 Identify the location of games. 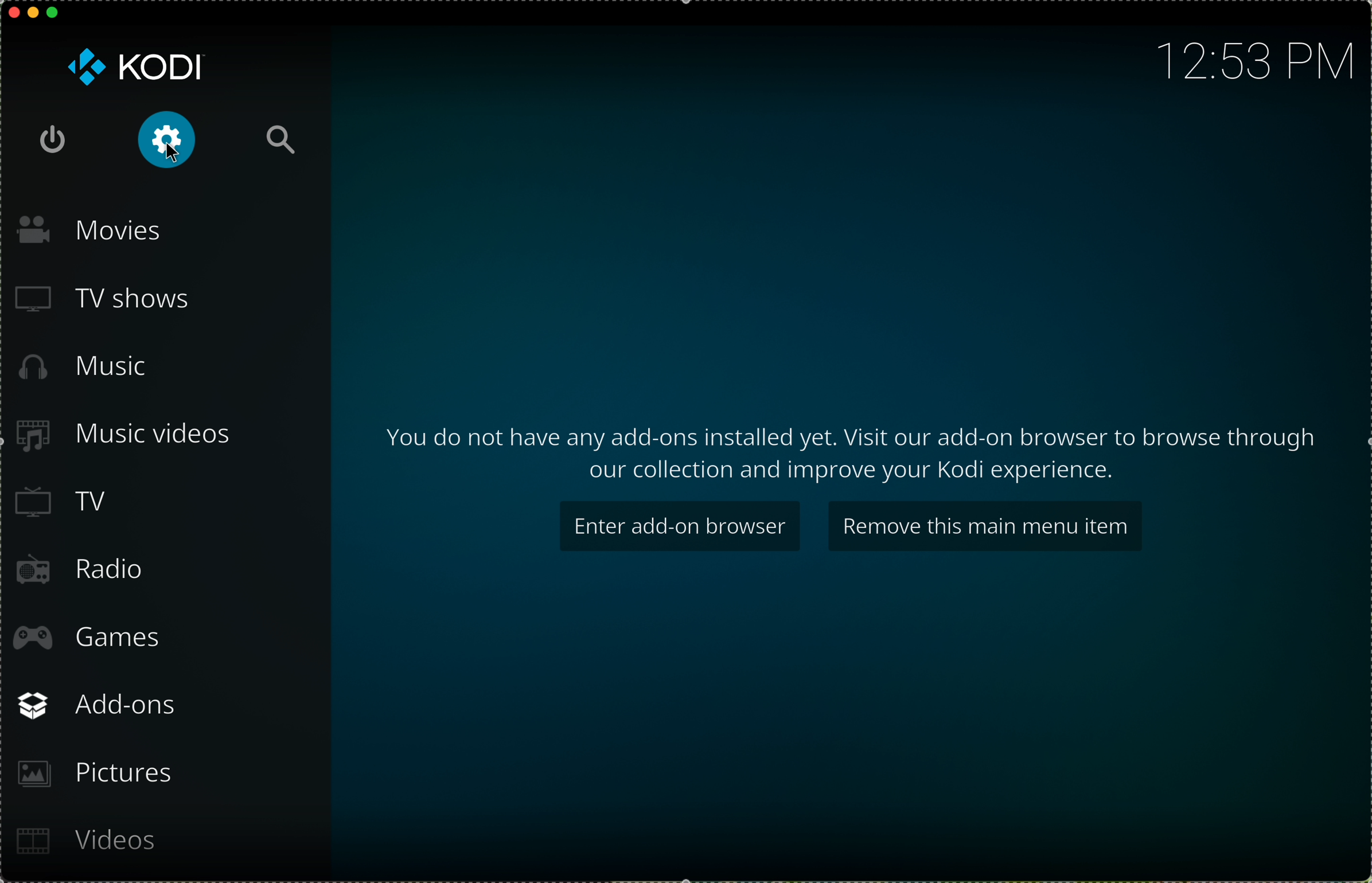
(97, 638).